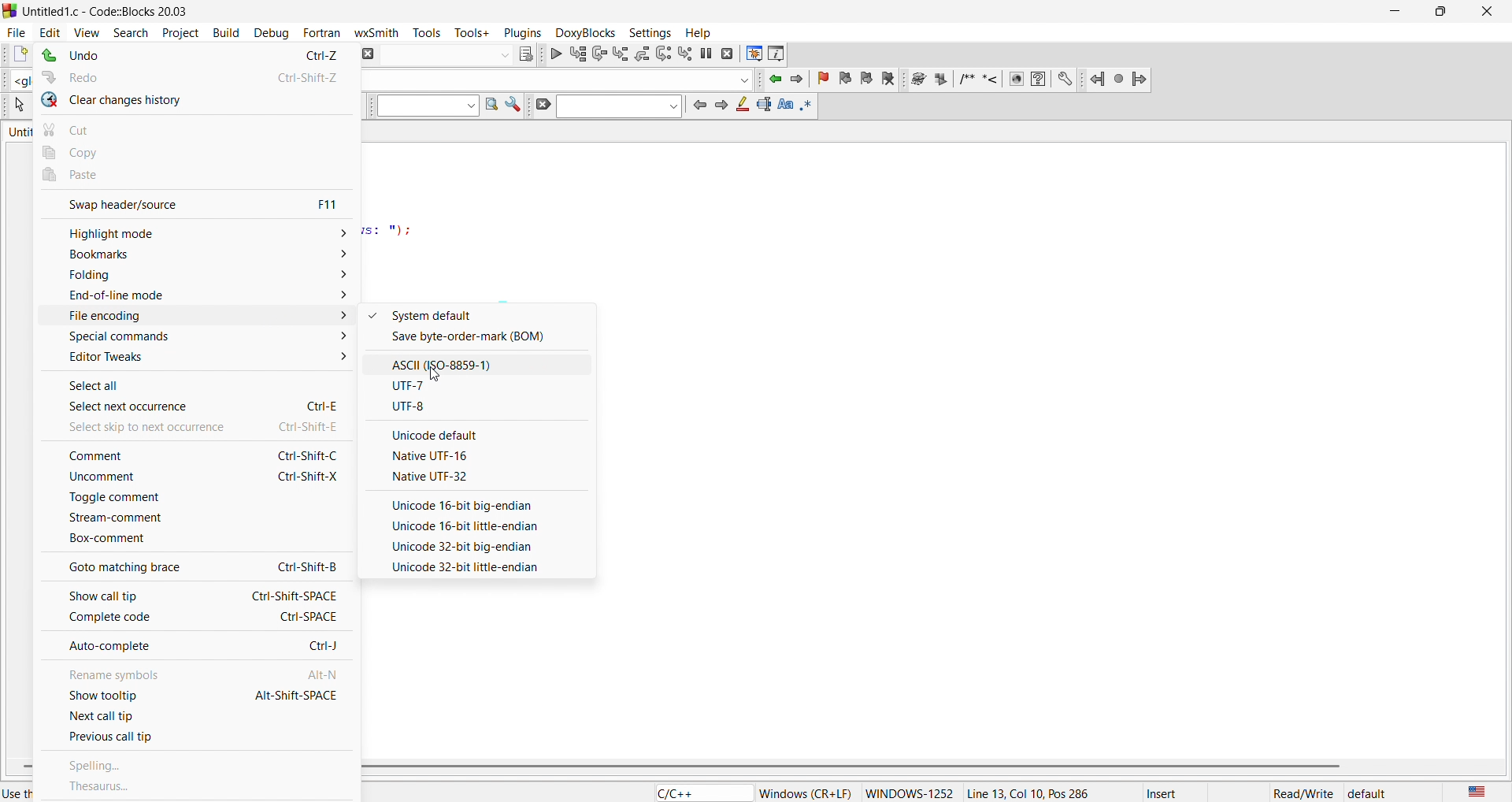 This screenshot has height=802, width=1512. Describe the element at coordinates (191, 407) in the screenshot. I see `select next occurance` at that location.